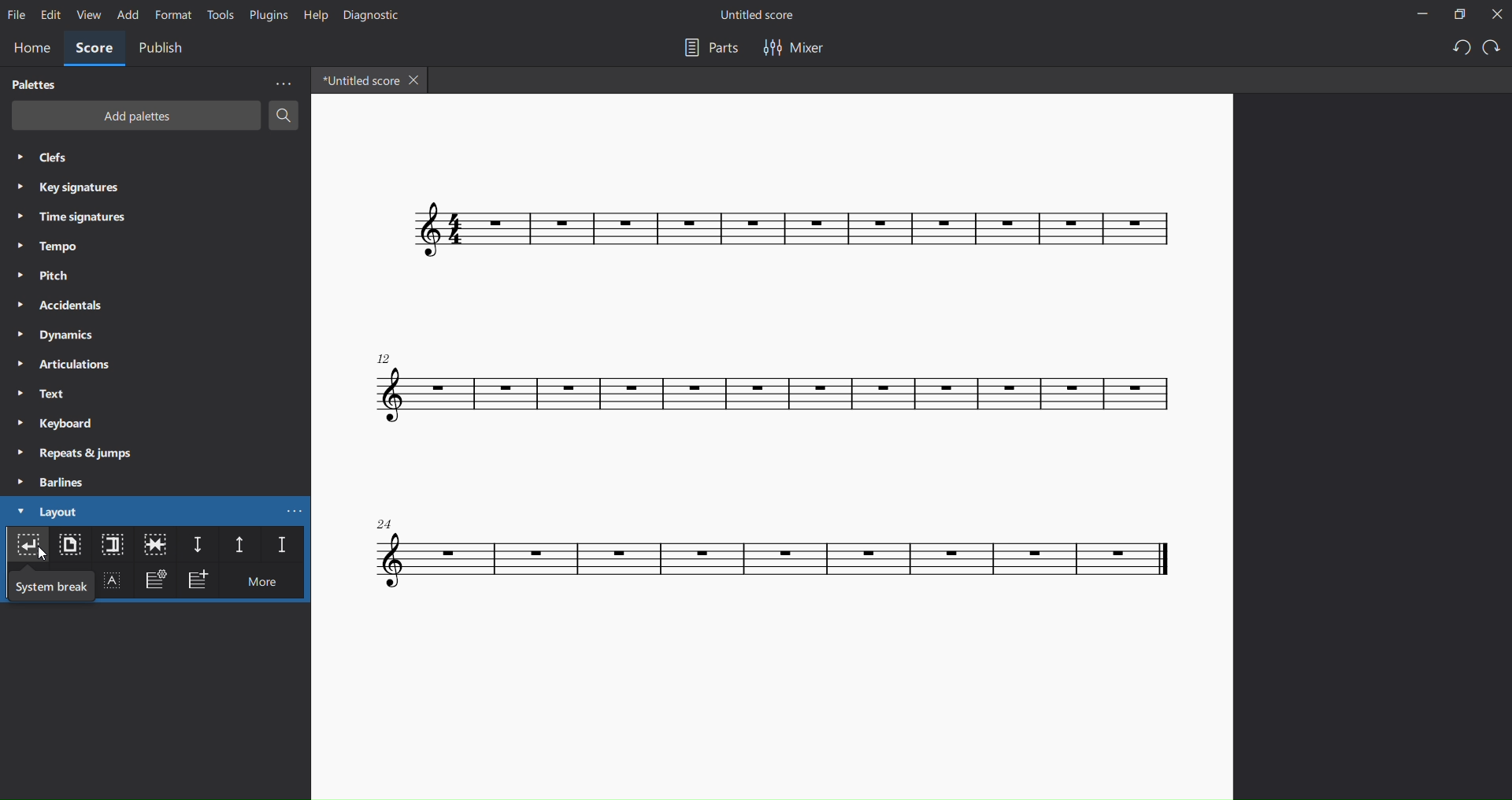 This screenshot has width=1512, height=800. I want to click on home, so click(31, 46).